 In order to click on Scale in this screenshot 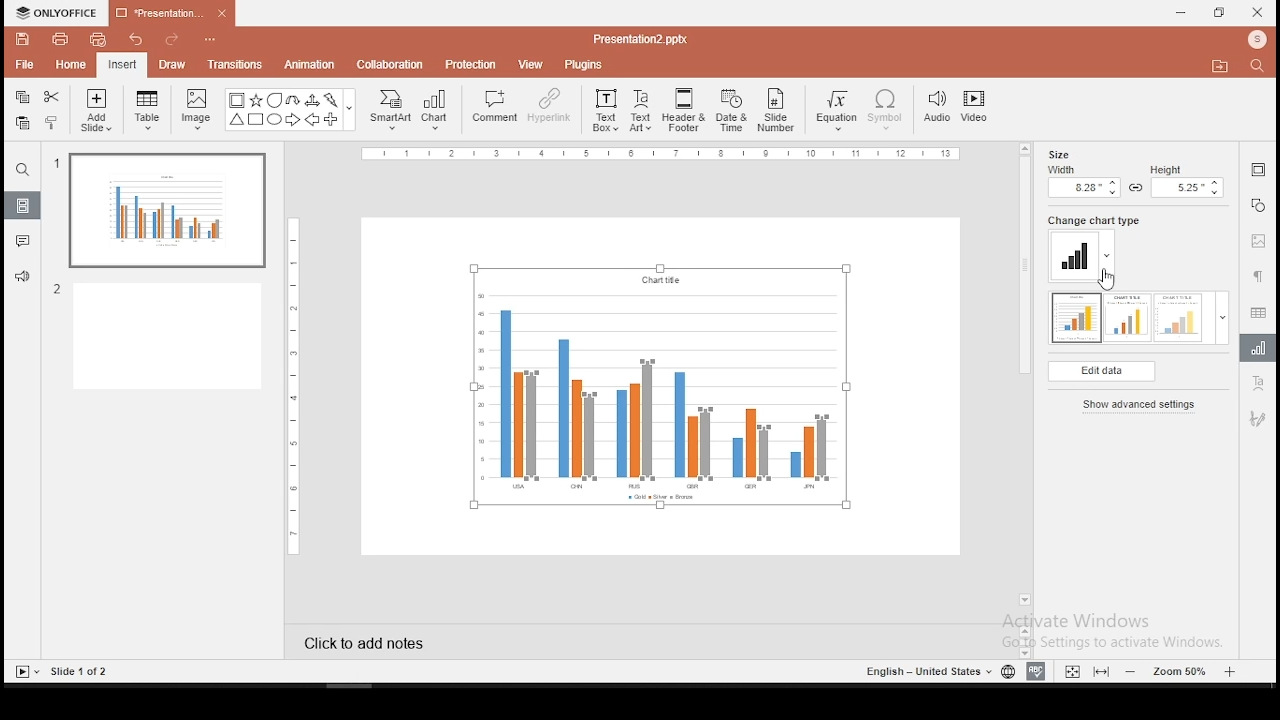, I will do `click(298, 386)`.